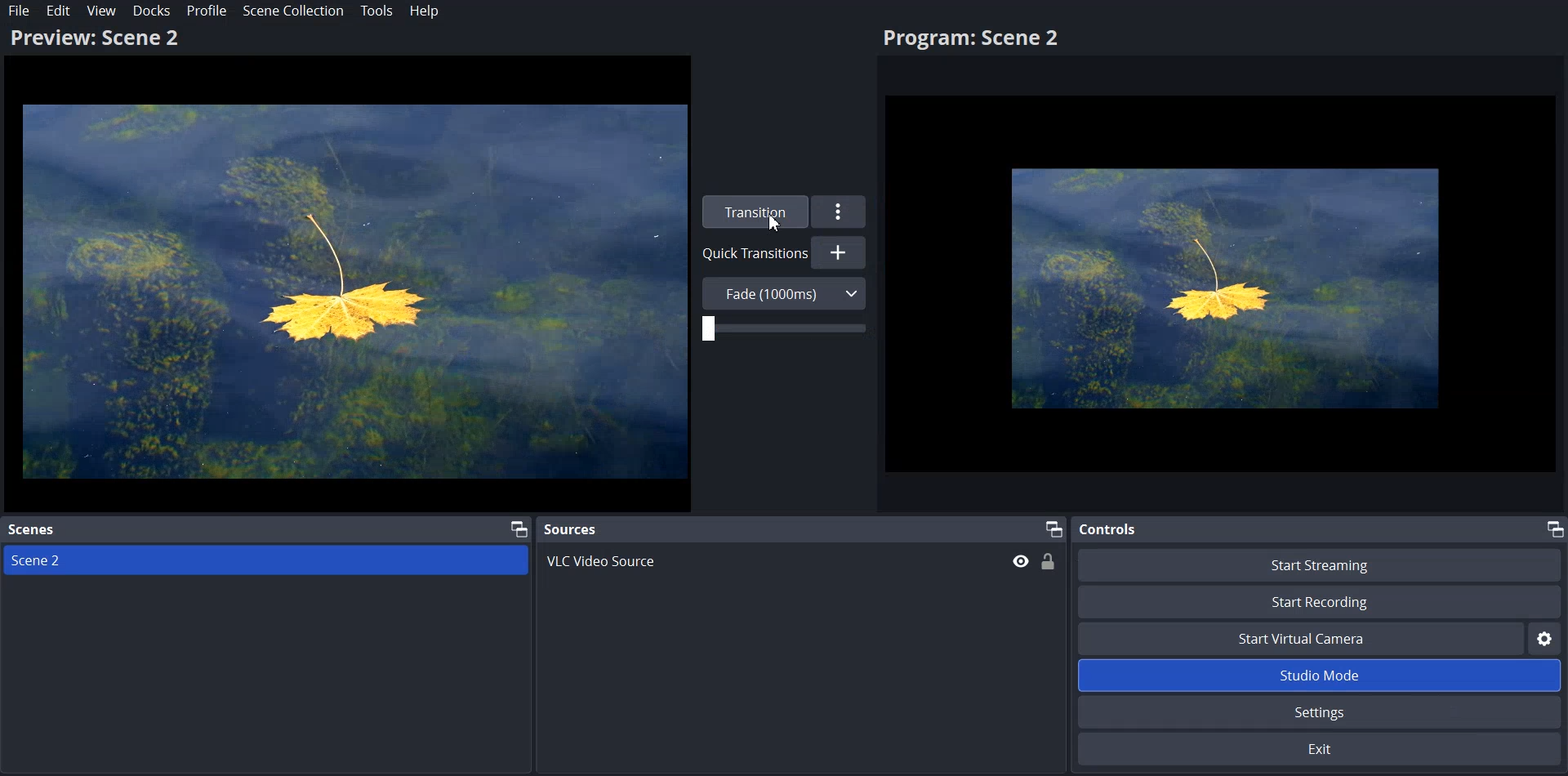  I want to click on Flower Image, so click(1227, 286).